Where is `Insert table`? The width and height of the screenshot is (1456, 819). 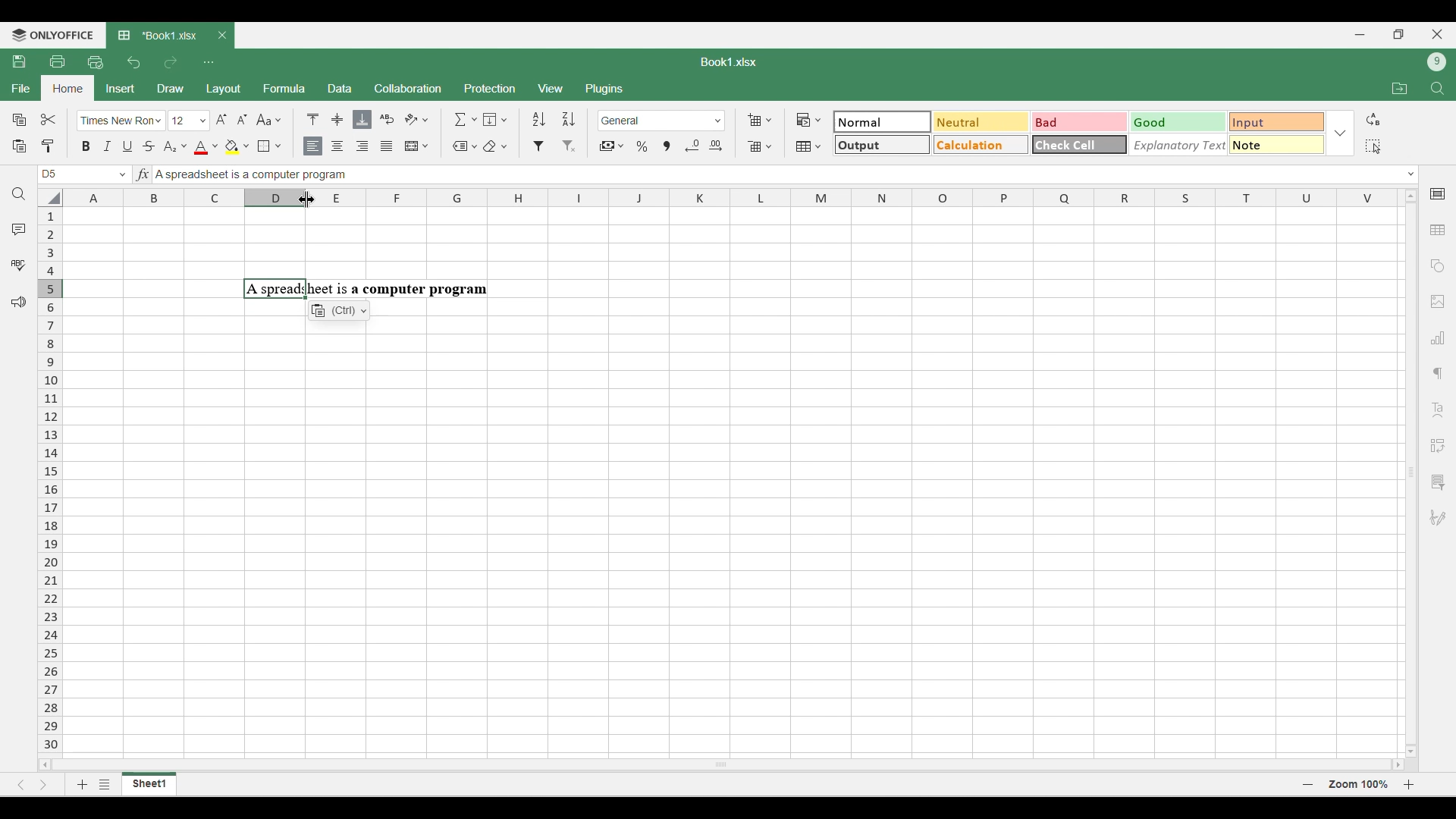 Insert table is located at coordinates (1439, 231).